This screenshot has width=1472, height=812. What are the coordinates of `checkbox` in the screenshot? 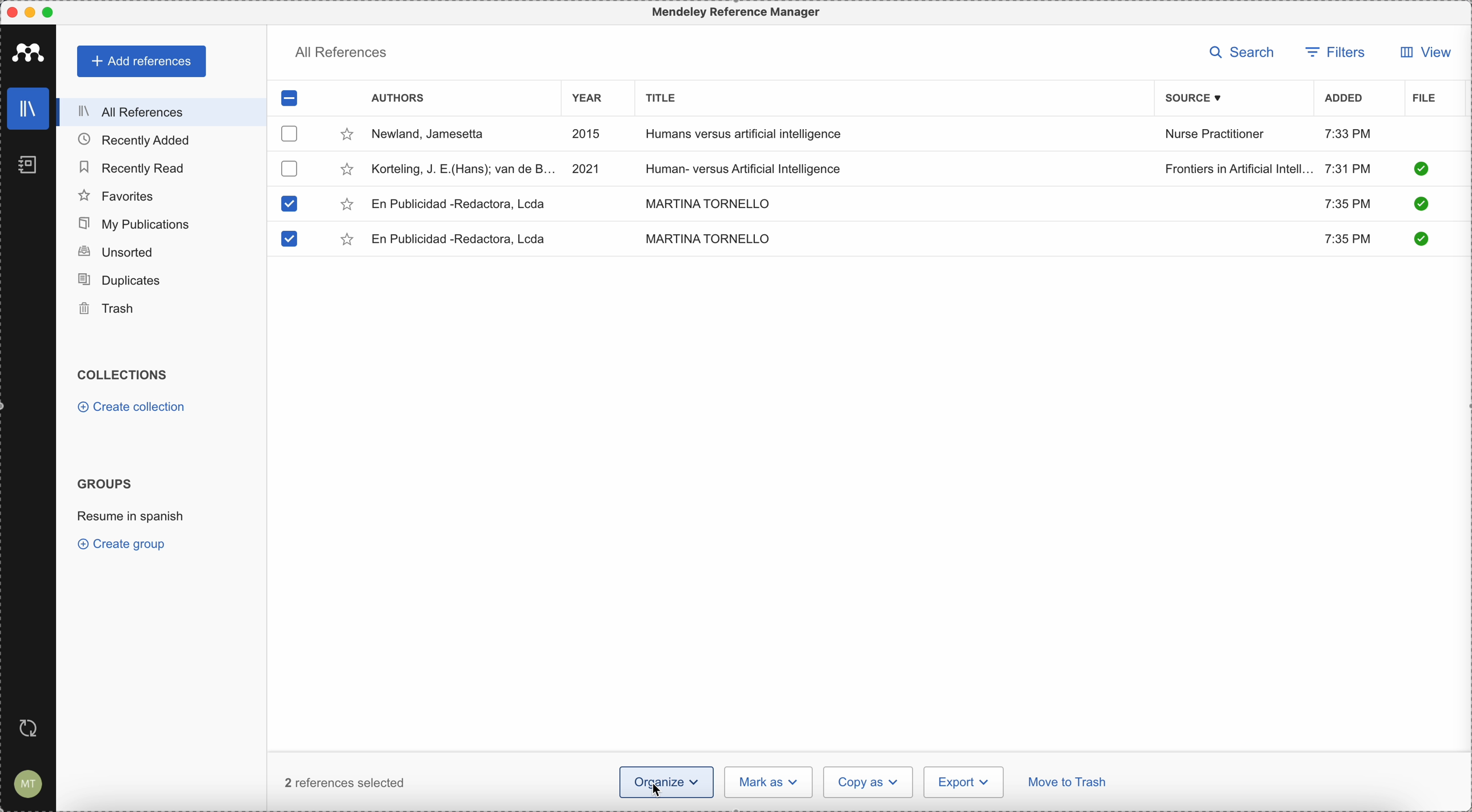 It's located at (287, 168).